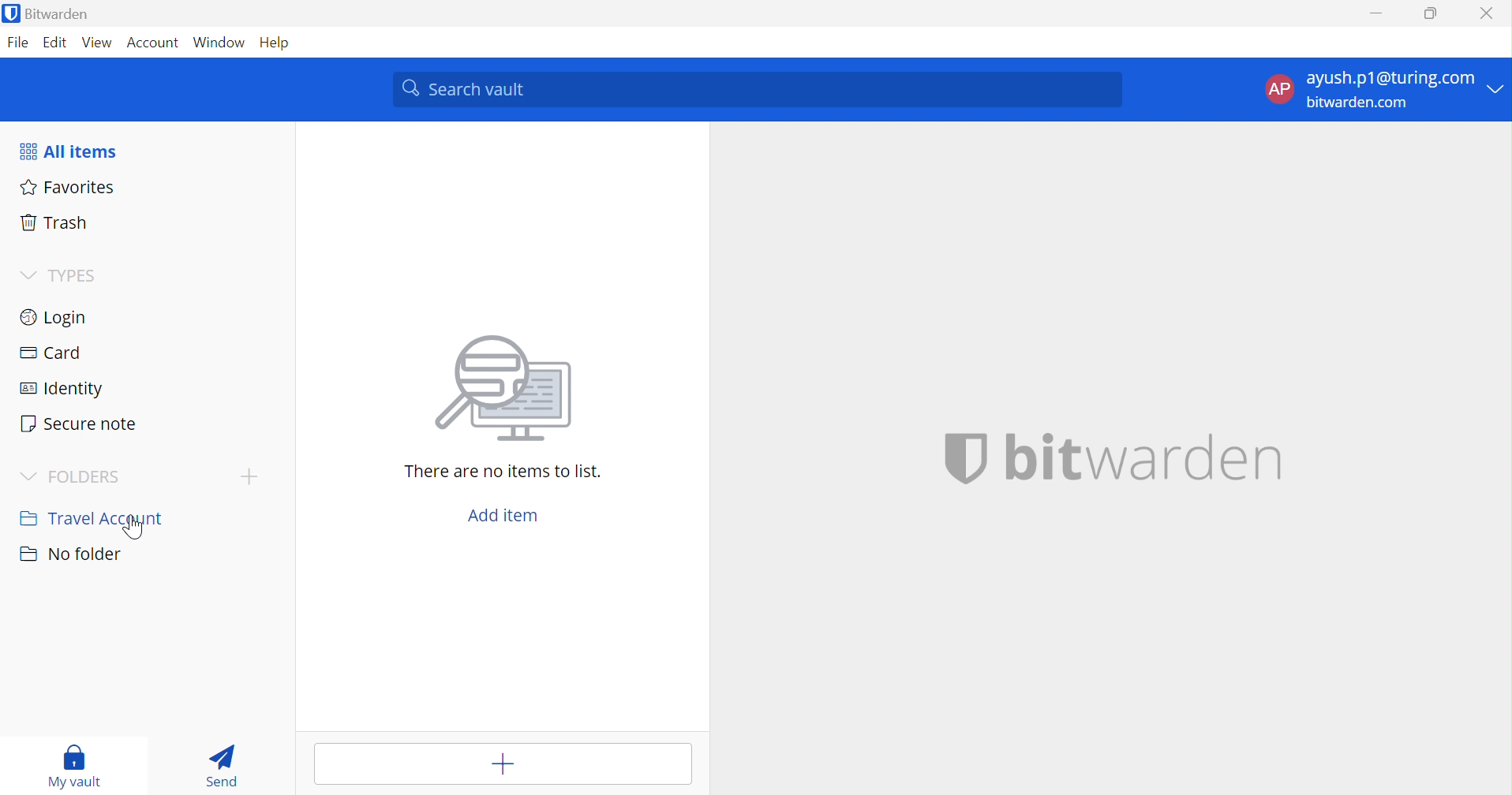 The height and width of the screenshot is (795, 1512). What do you see at coordinates (99, 42) in the screenshot?
I see `View` at bounding box center [99, 42].